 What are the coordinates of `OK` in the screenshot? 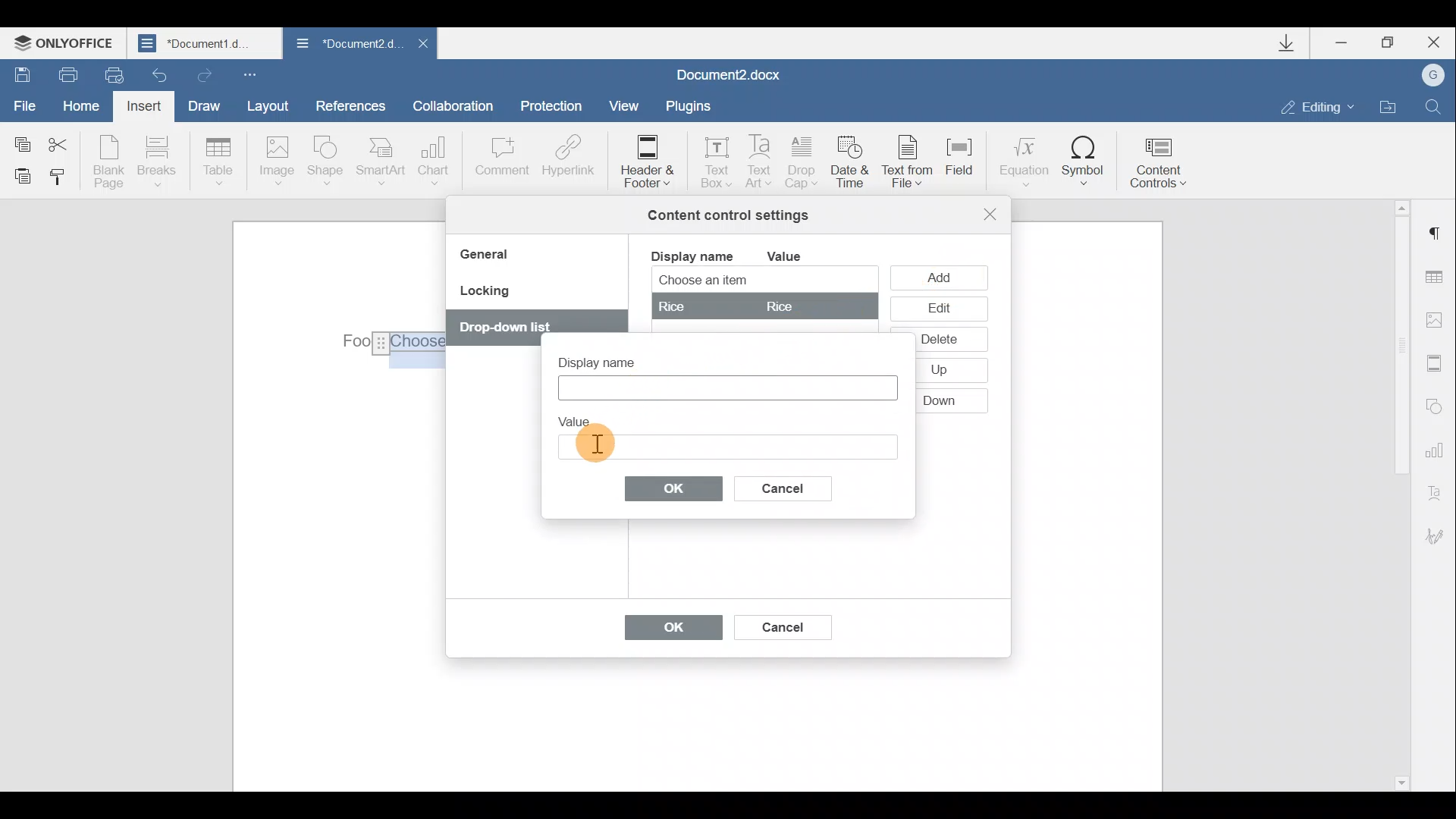 It's located at (666, 631).